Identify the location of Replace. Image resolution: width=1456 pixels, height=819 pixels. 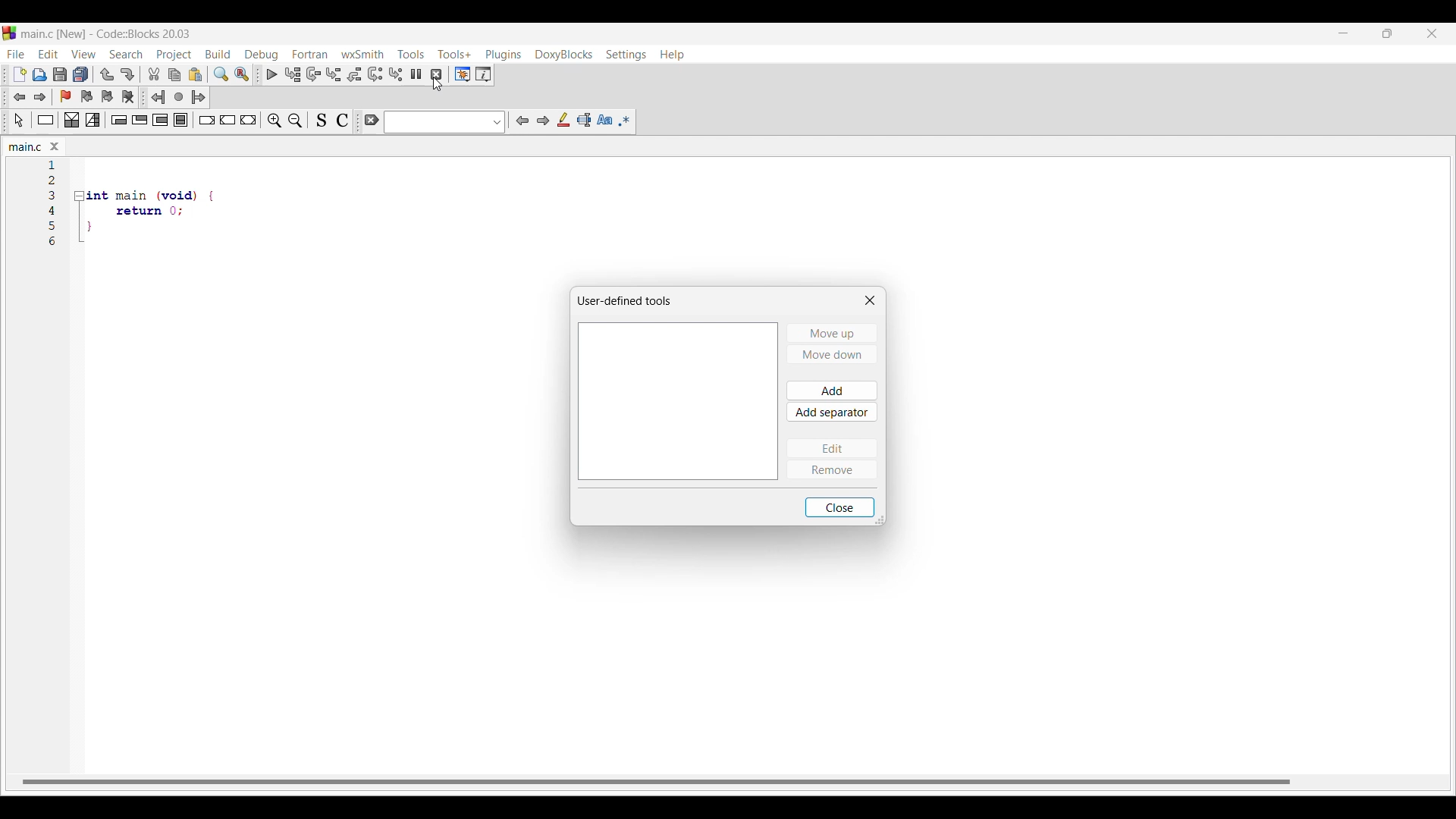
(242, 74).